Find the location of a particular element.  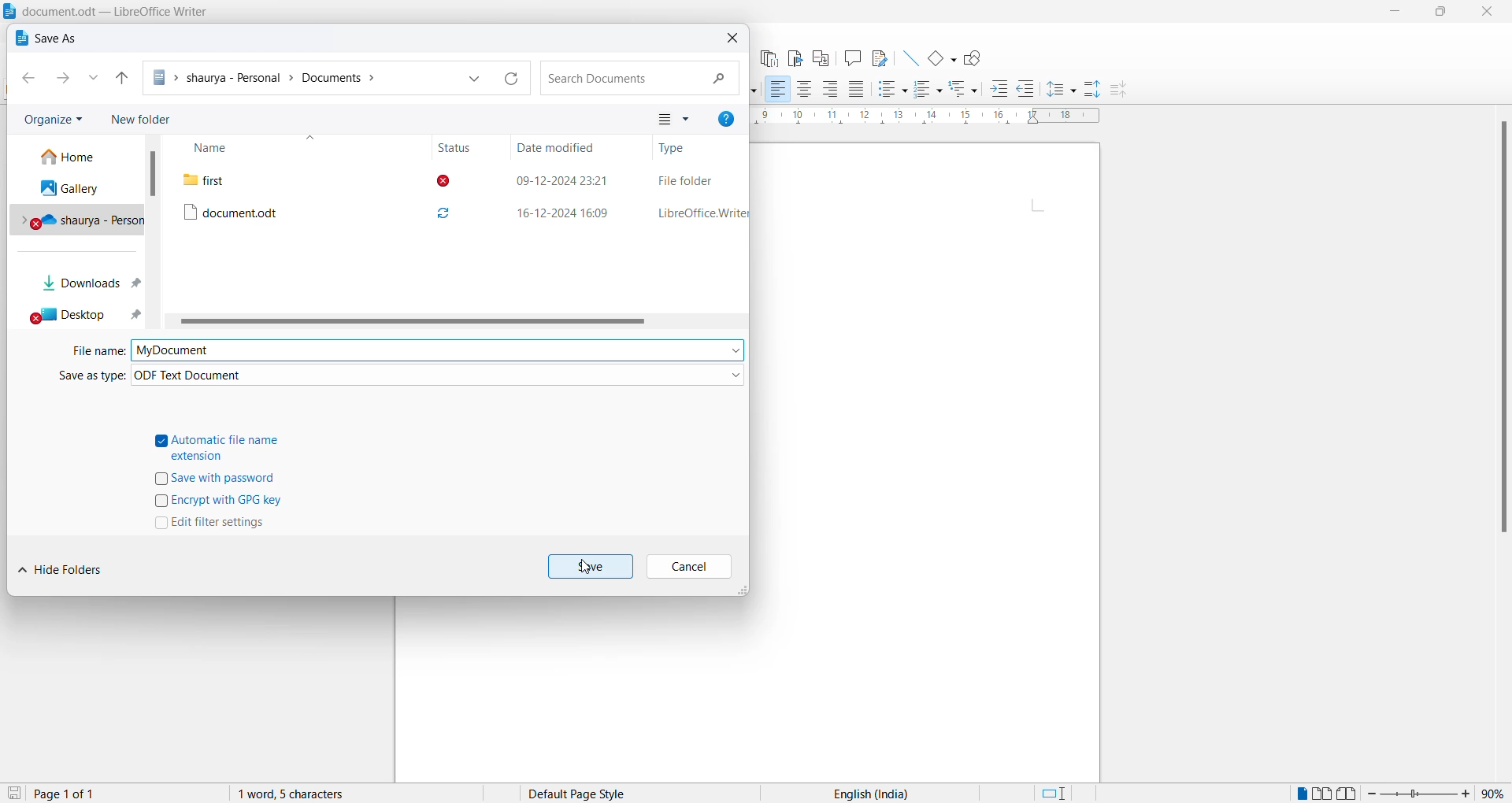

New folder is located at coordinates (147, 115).